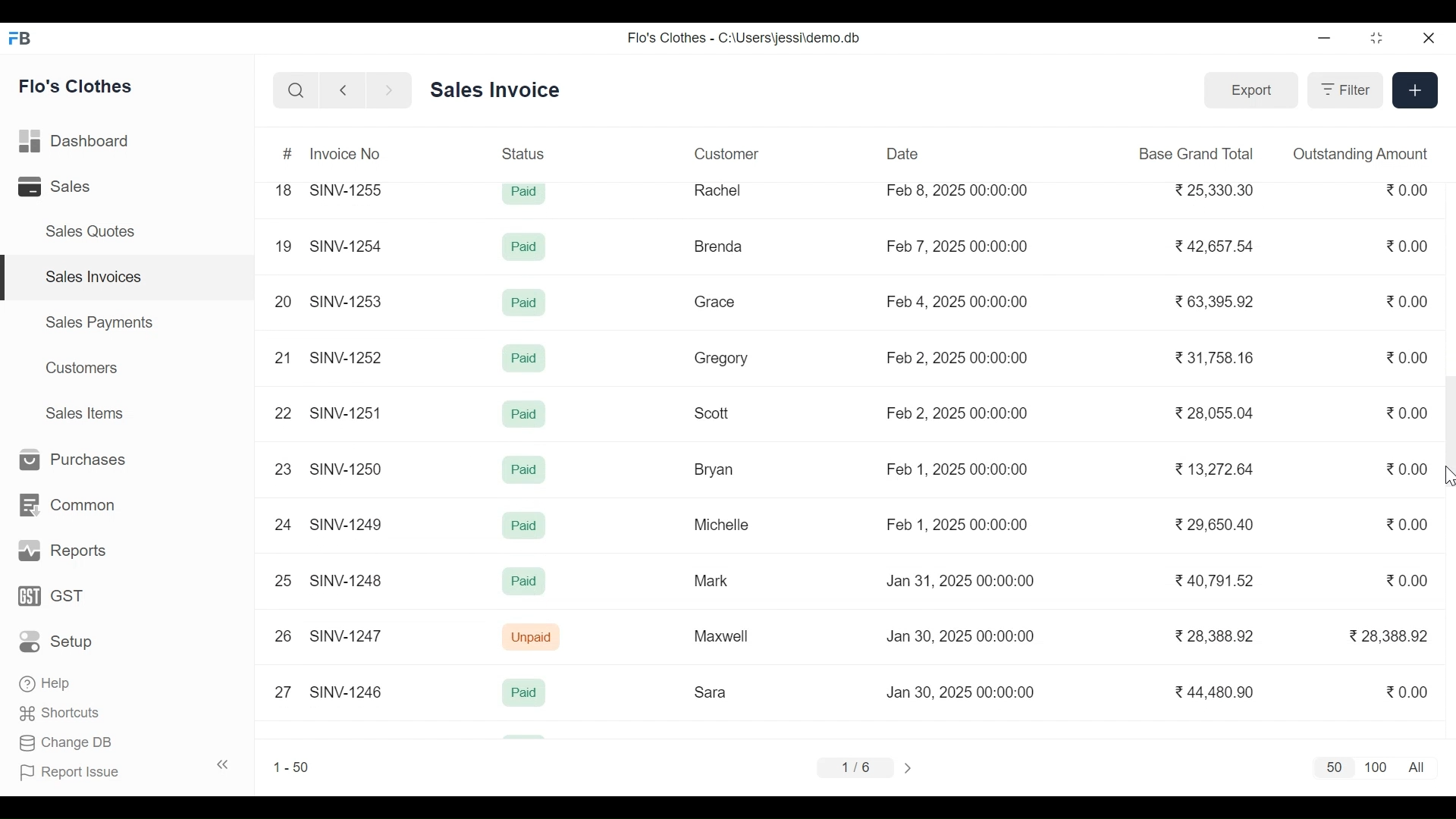  What do you see at coordinates (526, 193) in the screenshot?
I see `Paid` at bounding box center [526, 193].